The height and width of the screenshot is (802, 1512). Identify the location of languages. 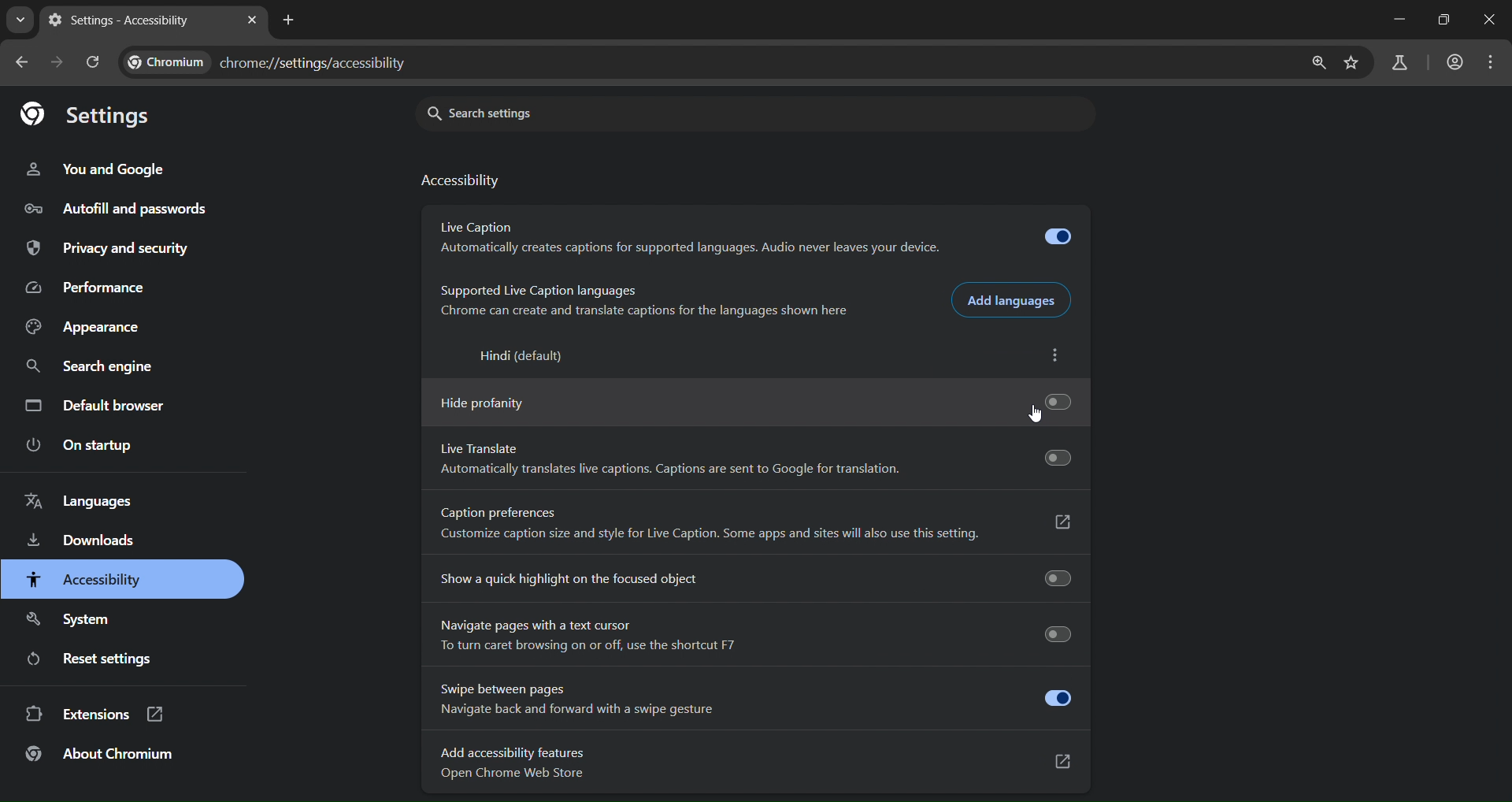
(80, 501).